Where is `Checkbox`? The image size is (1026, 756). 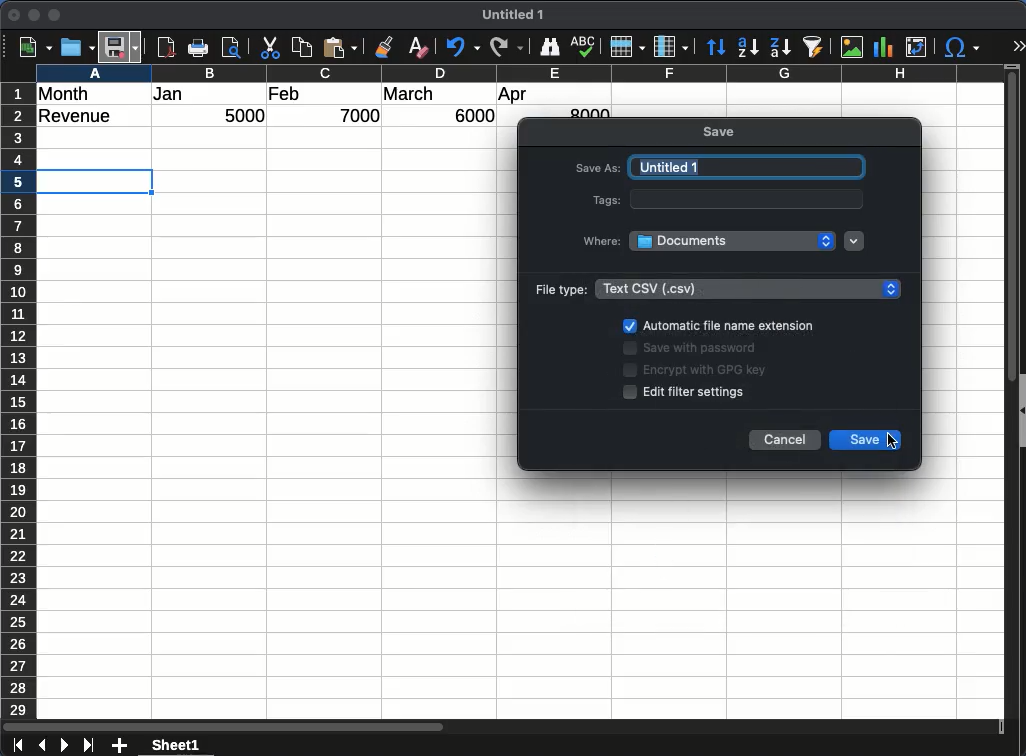 Checkbox is located at coordinates (629, 349).